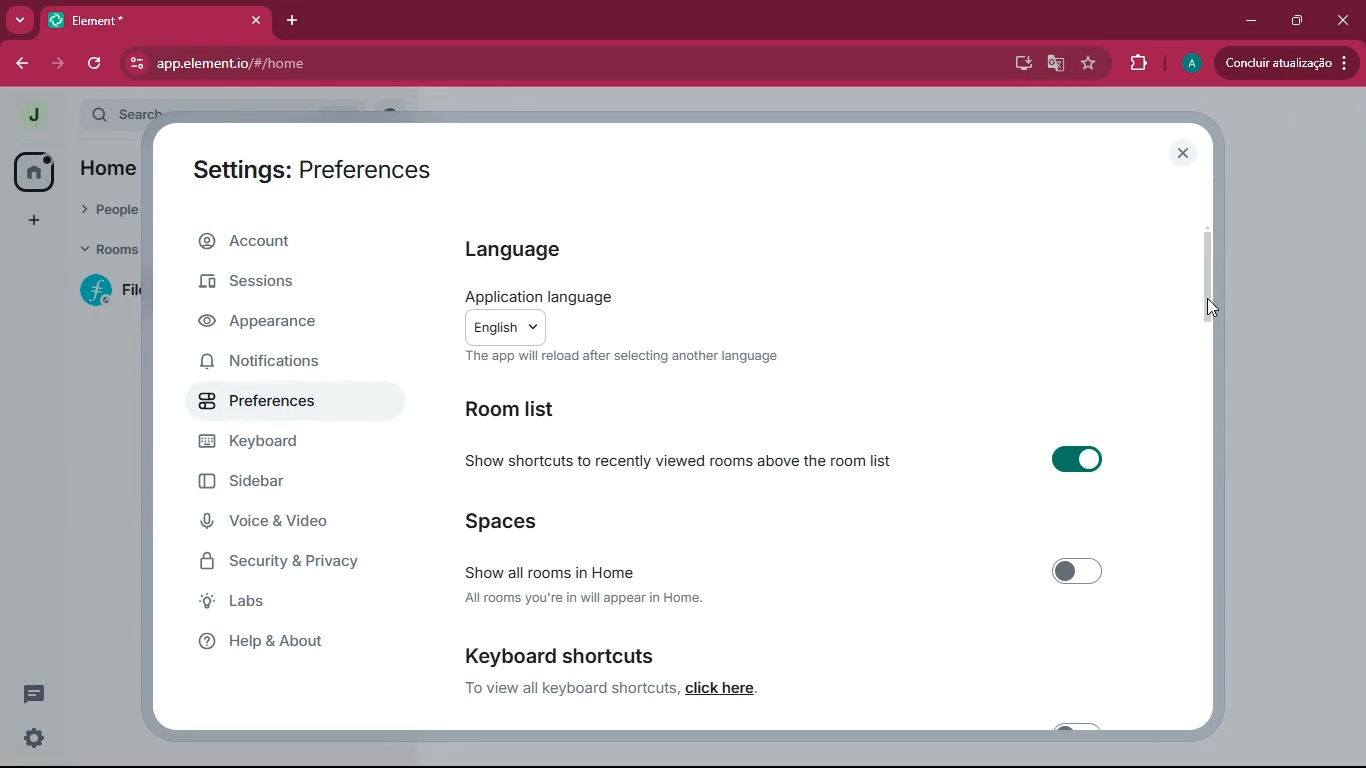 The image size is (1366, 768). What do you see at coordinates (1086, 64) in the screenshot?
I see `favourite` at bounding box center [1086, 64].